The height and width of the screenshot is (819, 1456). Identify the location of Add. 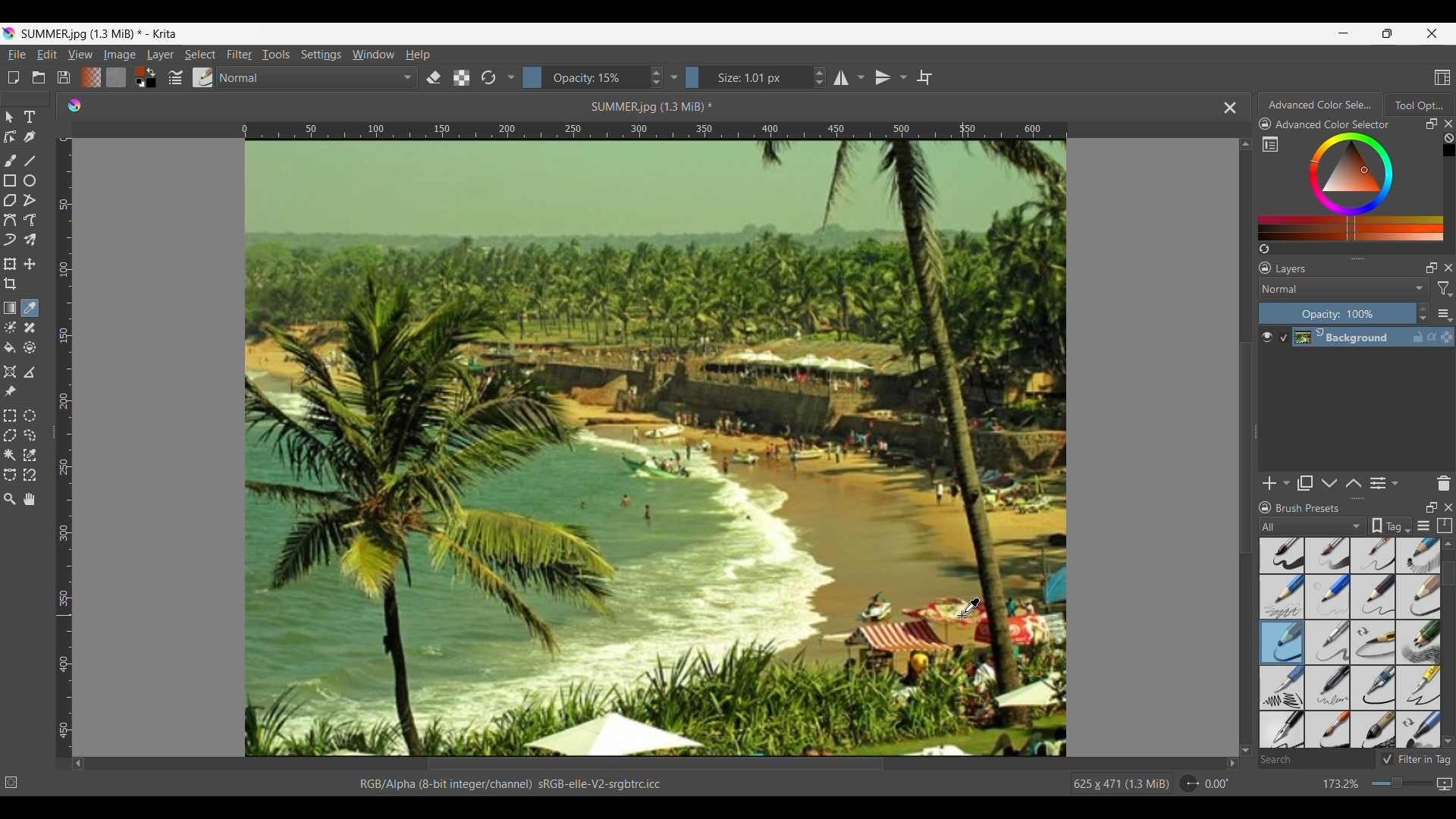
(1269, 483).